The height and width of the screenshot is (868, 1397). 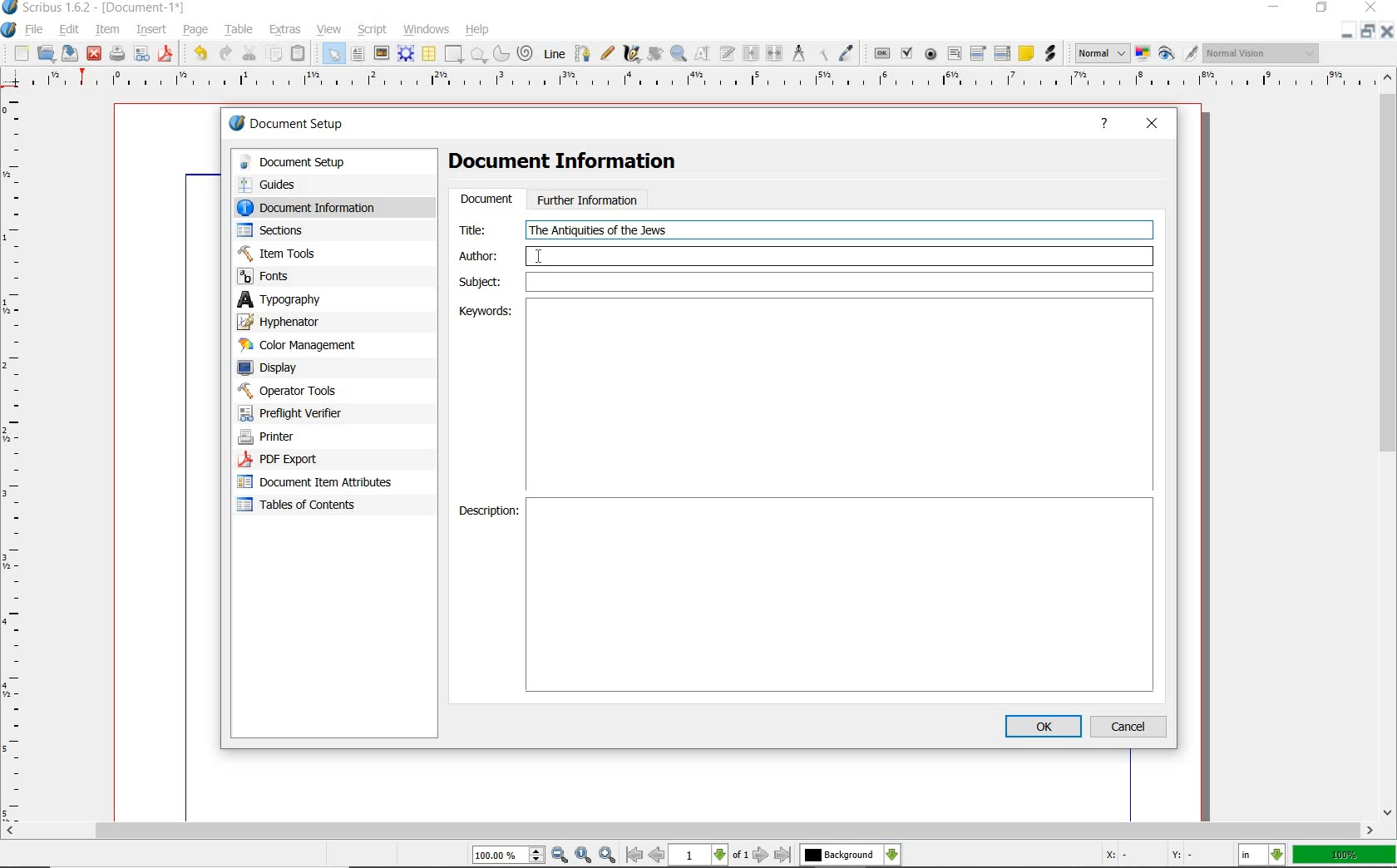 What do you see at coordinates (979, 54) in the screenshot?
I see `pdf combo box` at bounding box center [979, 54].